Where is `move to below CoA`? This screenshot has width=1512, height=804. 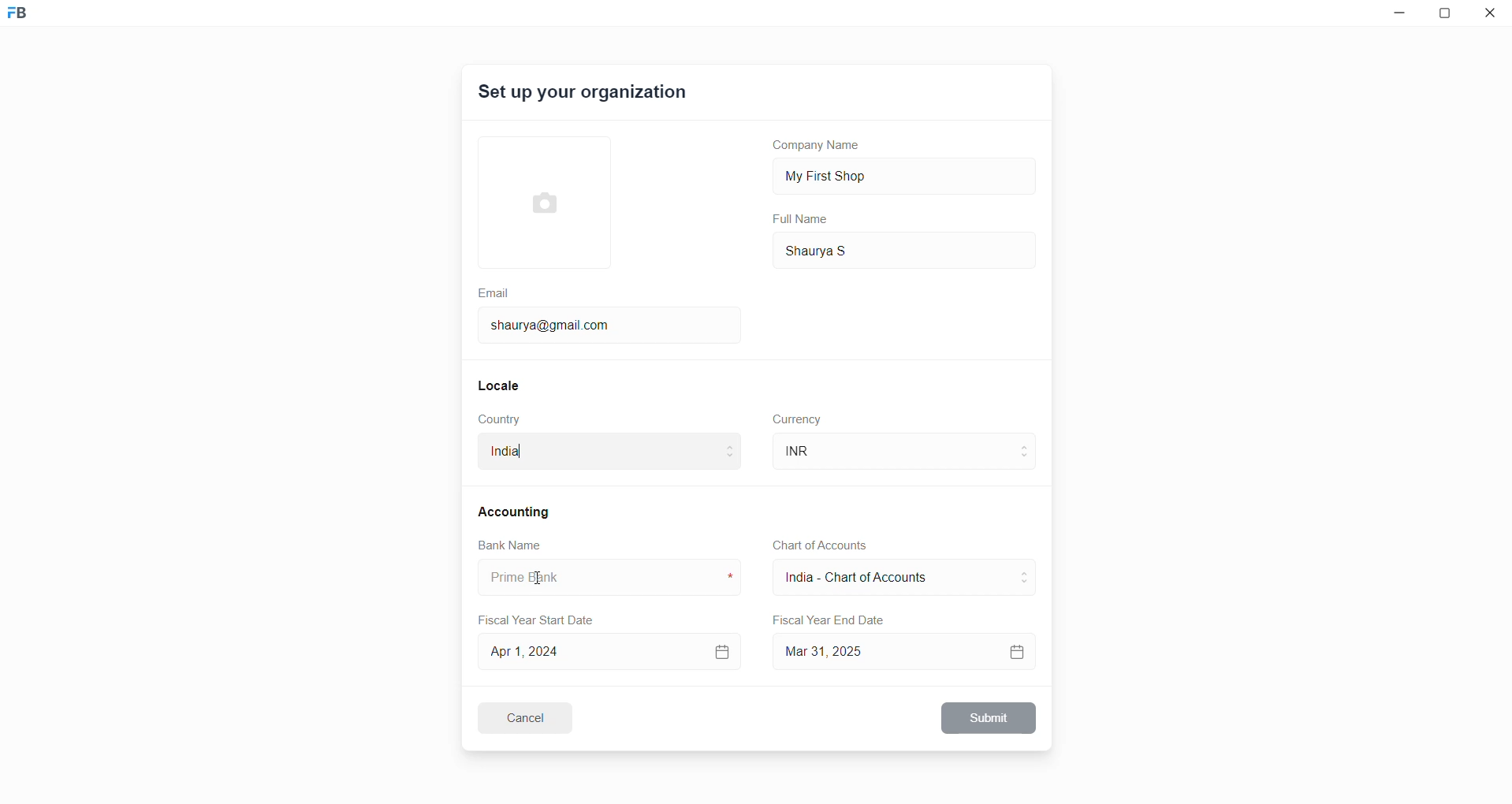 move to below CoA is located at coordinates (1026, 585).